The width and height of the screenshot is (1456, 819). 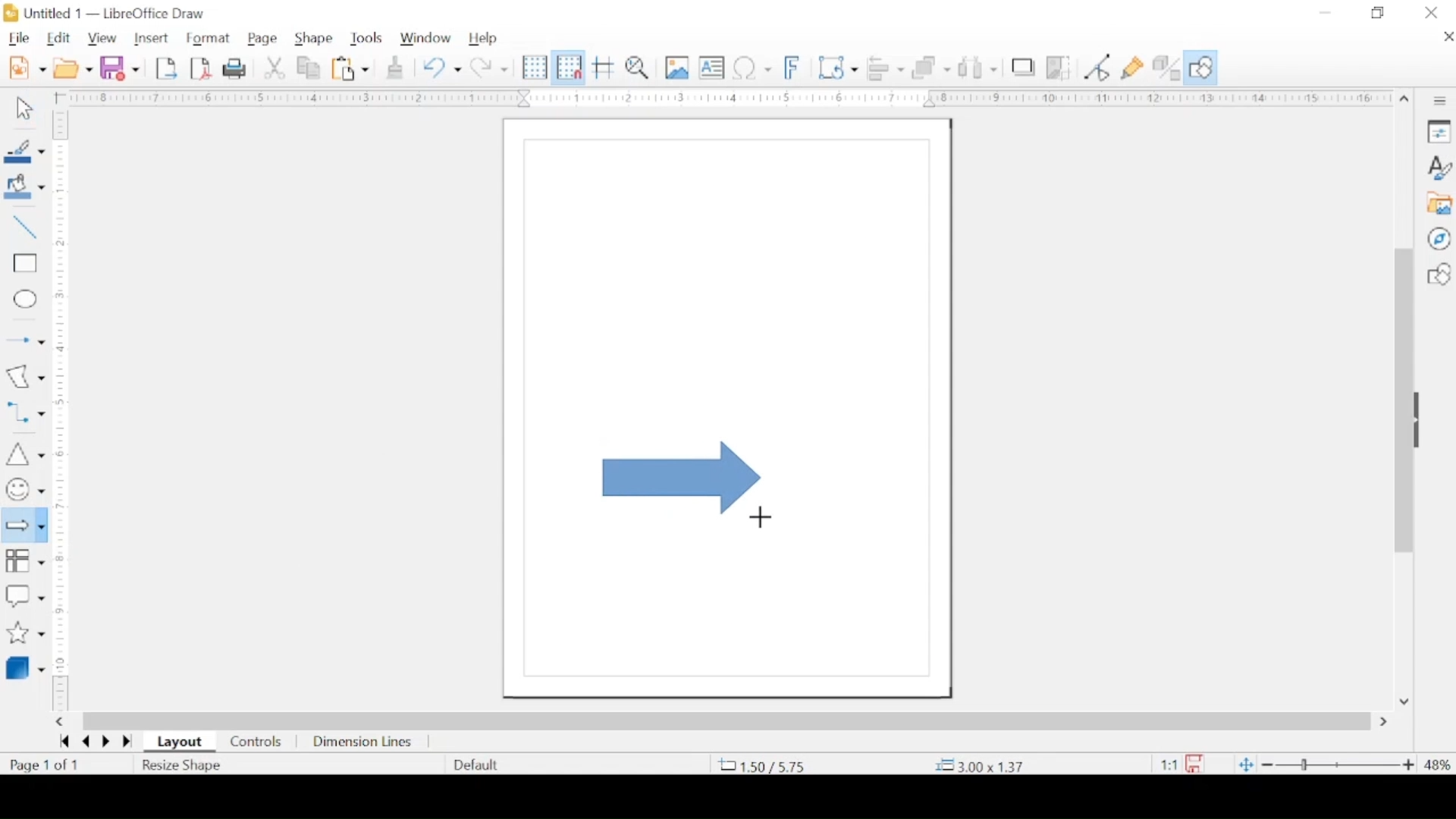 What do you see at coordinates (46, 765) in the screenshot?
I see `page count` at bounding box center [46, 765].